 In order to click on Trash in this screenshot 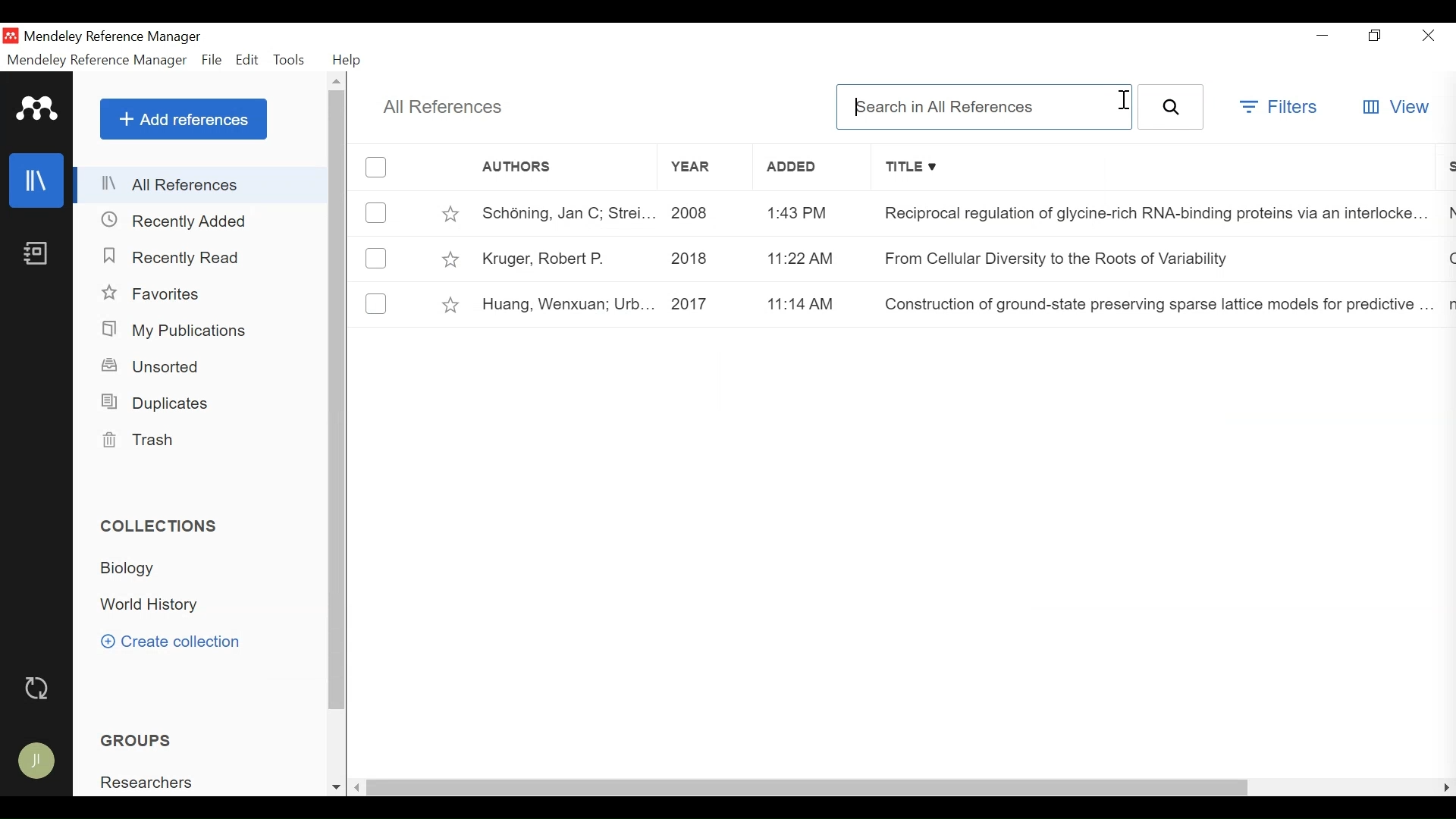, I will do `click(147, 442)`.